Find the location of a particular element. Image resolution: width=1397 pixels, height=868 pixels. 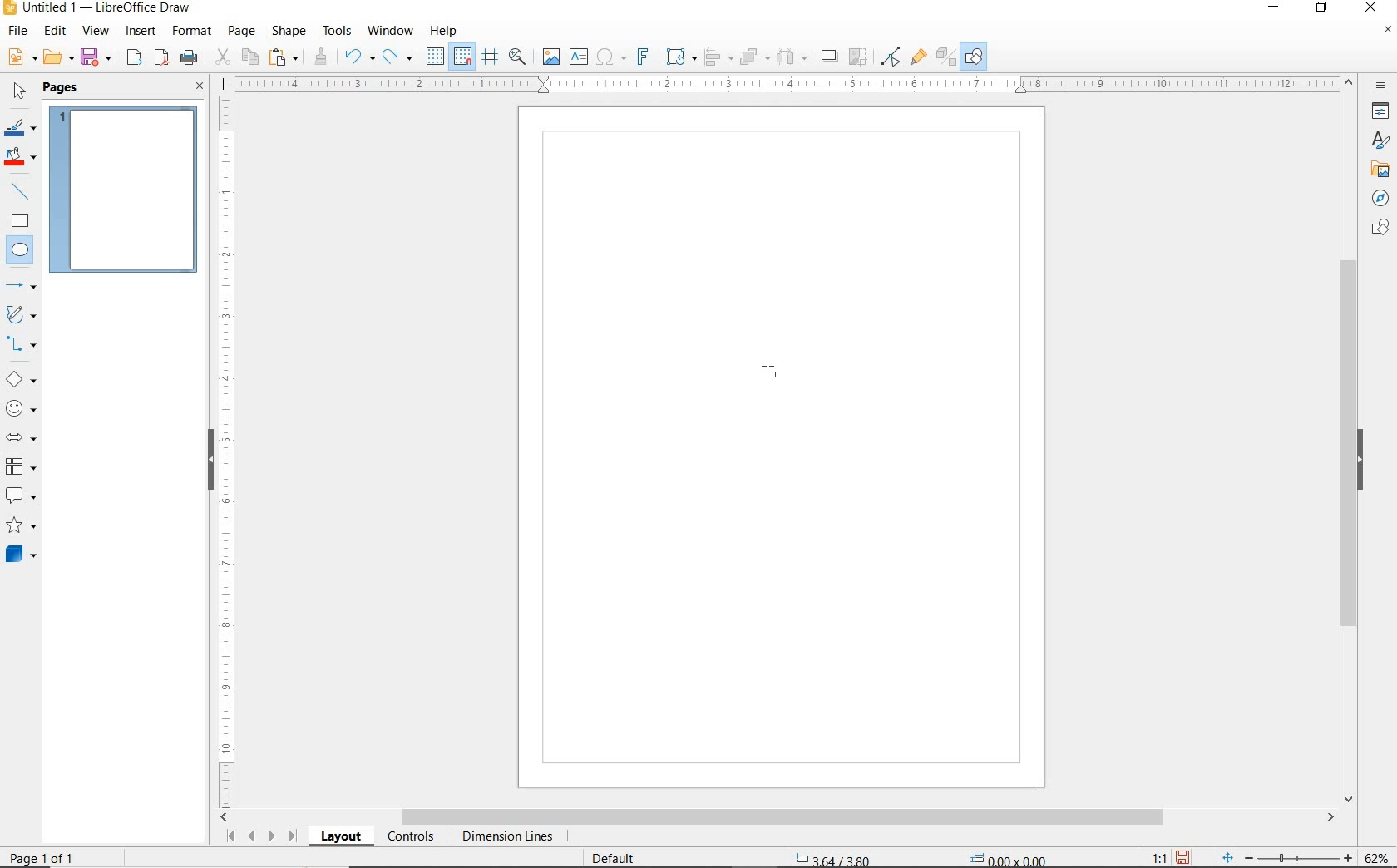

INSERT TEXT BOX is located at coordinates (580, 57).